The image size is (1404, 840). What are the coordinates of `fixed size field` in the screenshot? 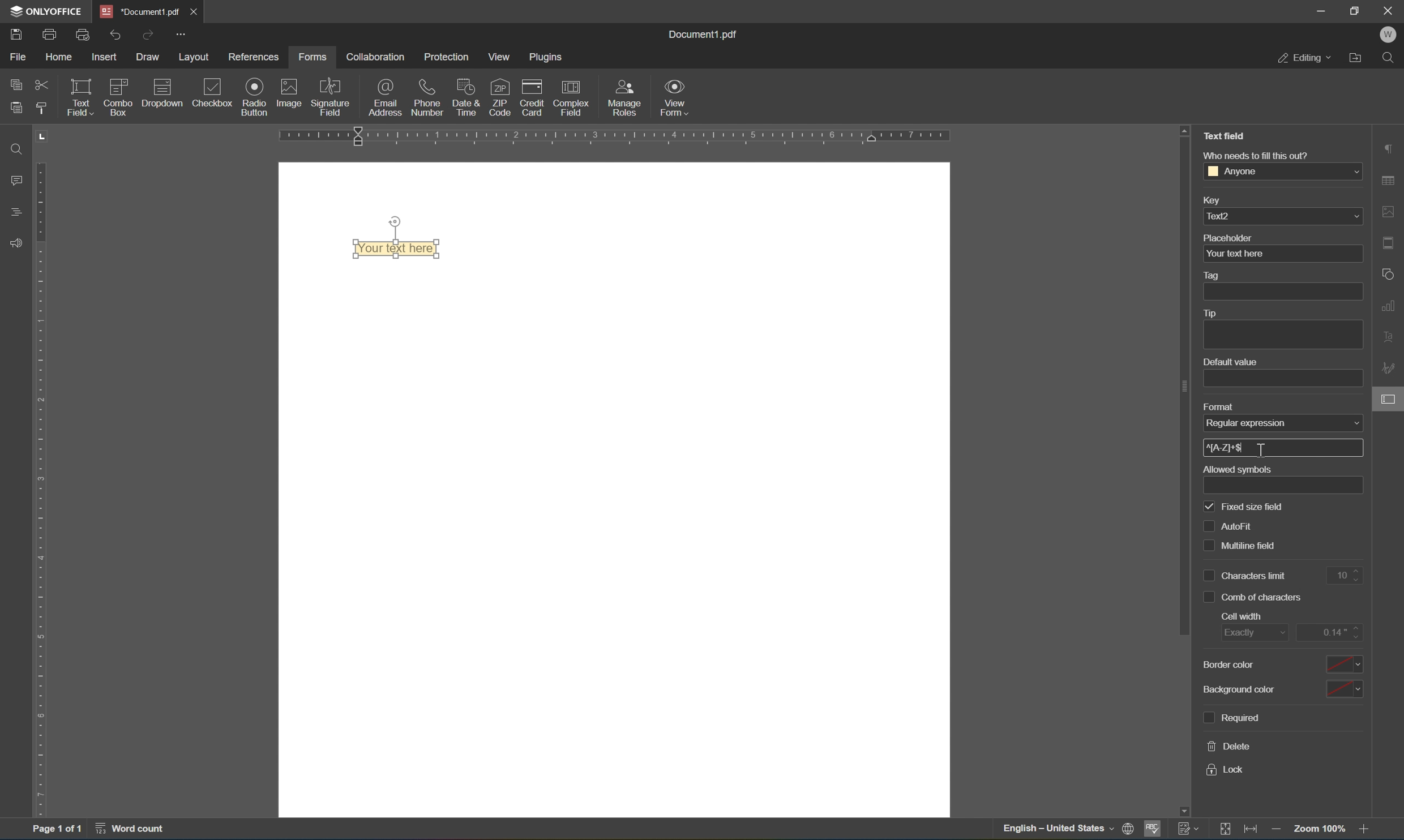 It's located at (1243, 507).